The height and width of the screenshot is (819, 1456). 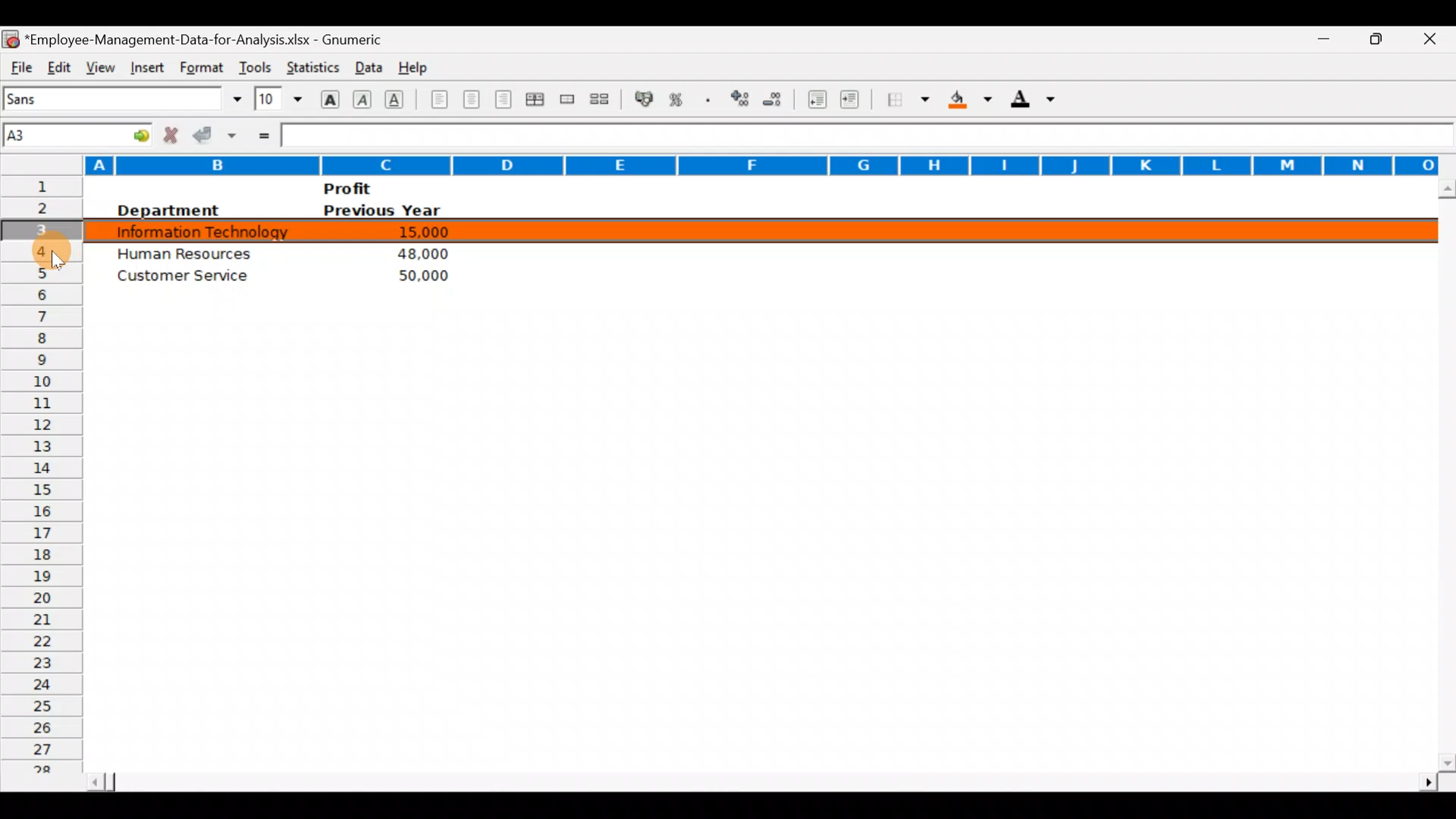 What do you see at coordinates (742, 98) in the screenshot?
I see `Increase decimals` at bounding box center [742, 98].